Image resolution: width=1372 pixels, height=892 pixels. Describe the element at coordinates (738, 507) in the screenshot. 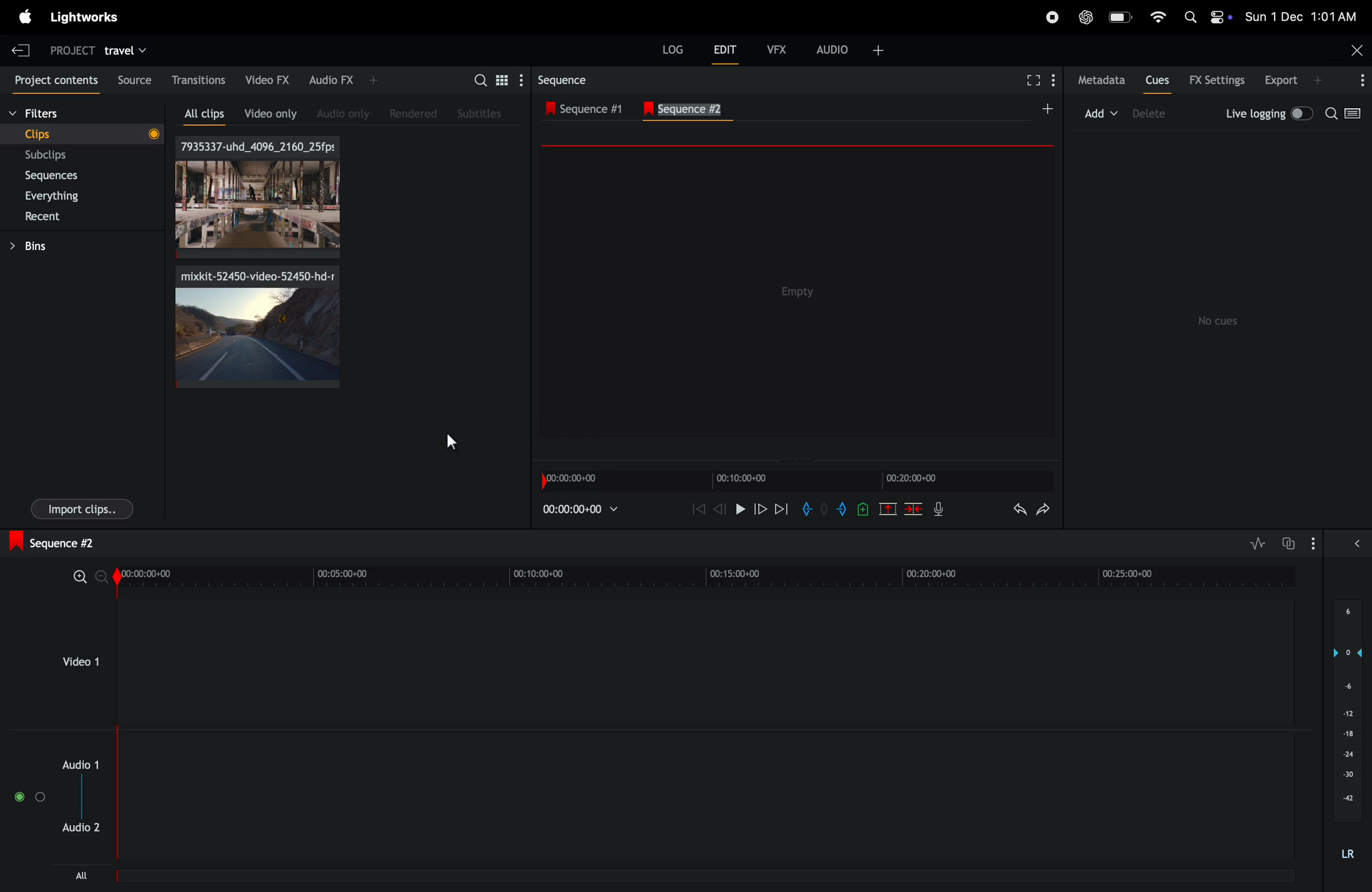

I see `pause play` at that location.